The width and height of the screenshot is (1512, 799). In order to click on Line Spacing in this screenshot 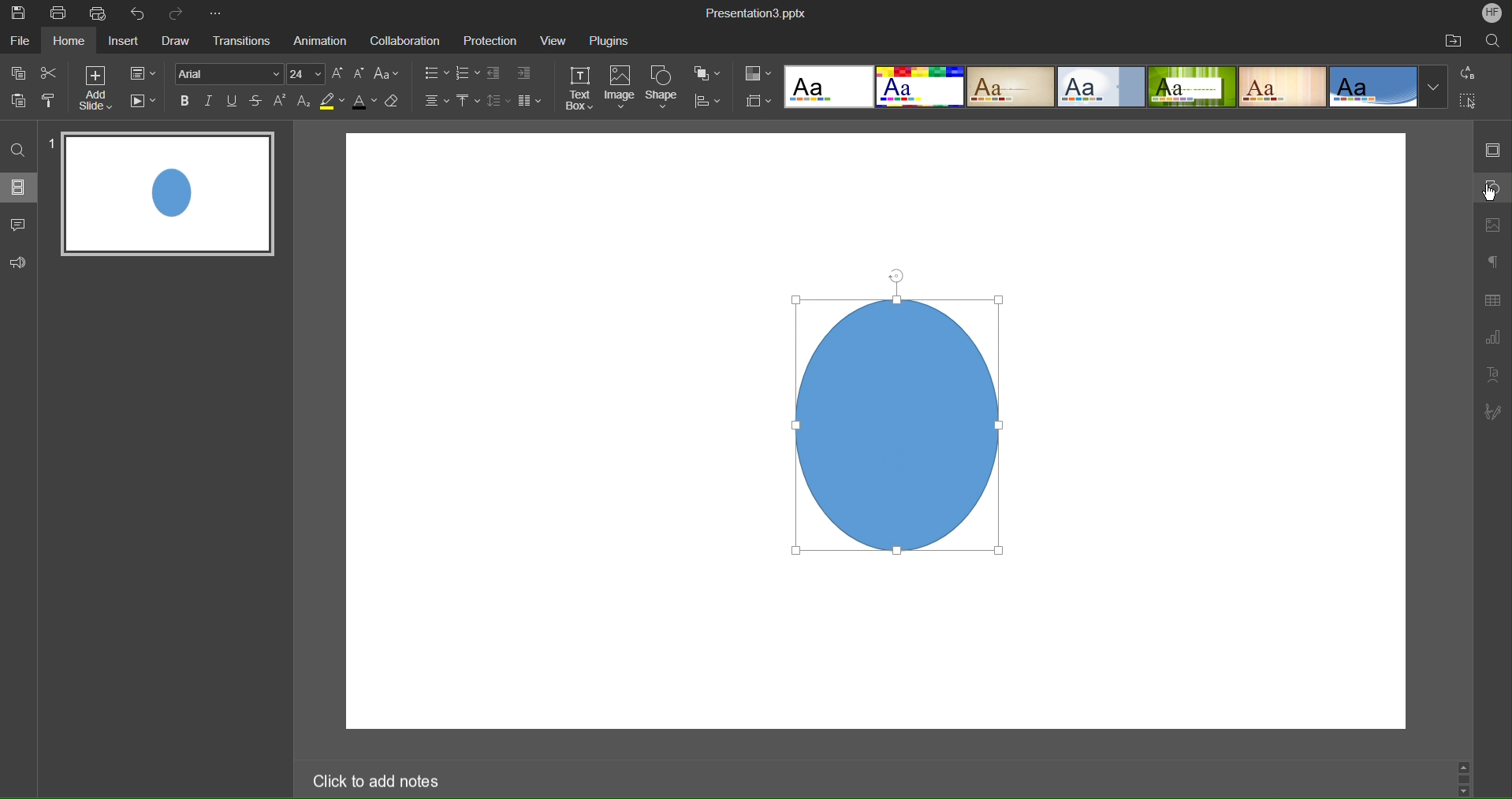, I will do `click(497, 102)`.